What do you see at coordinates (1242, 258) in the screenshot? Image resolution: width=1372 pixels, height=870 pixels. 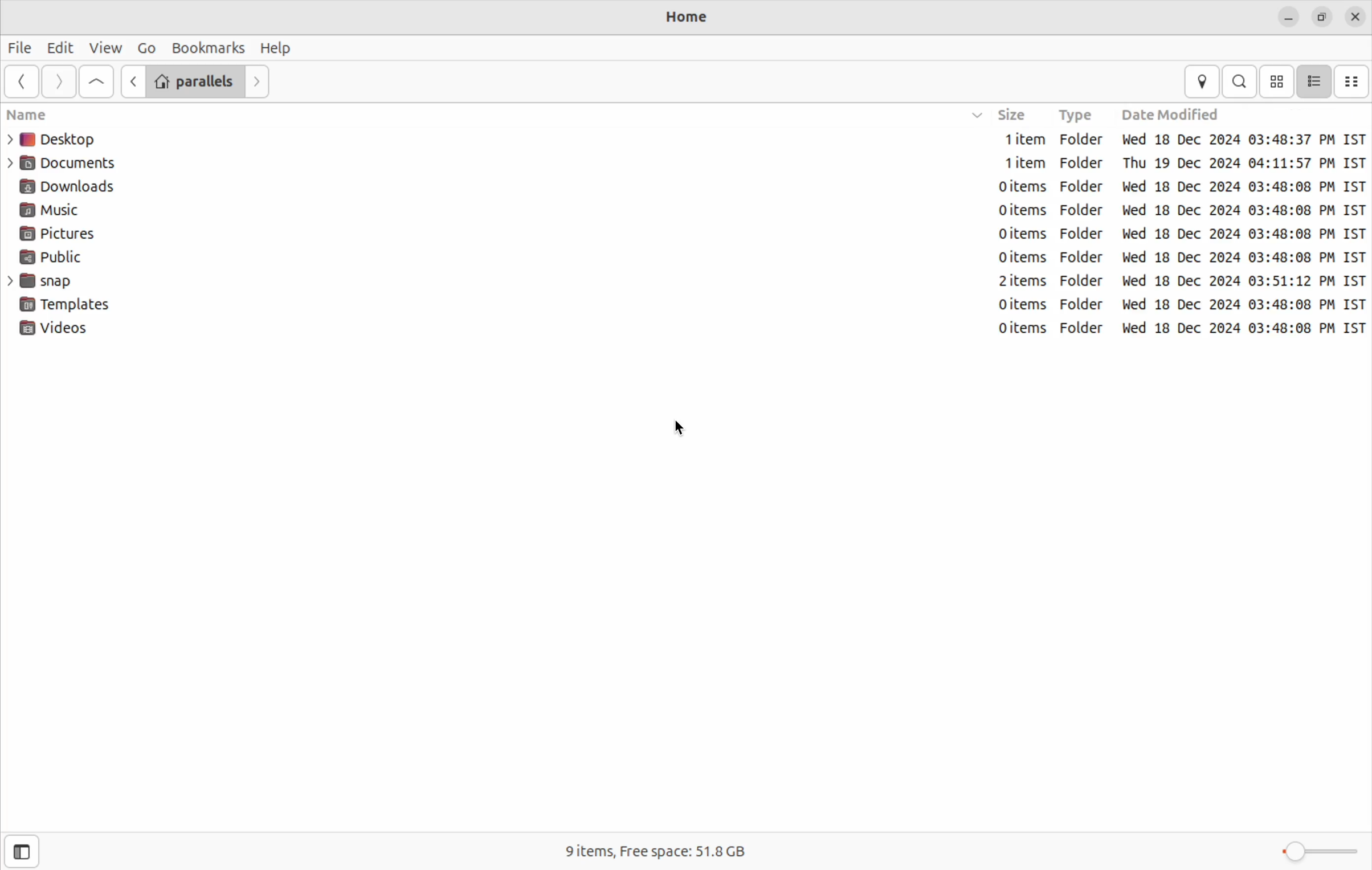 I see `Wed 18 Dec 2024 03:48:08 PM IST` at bounding box center [1242, 258].